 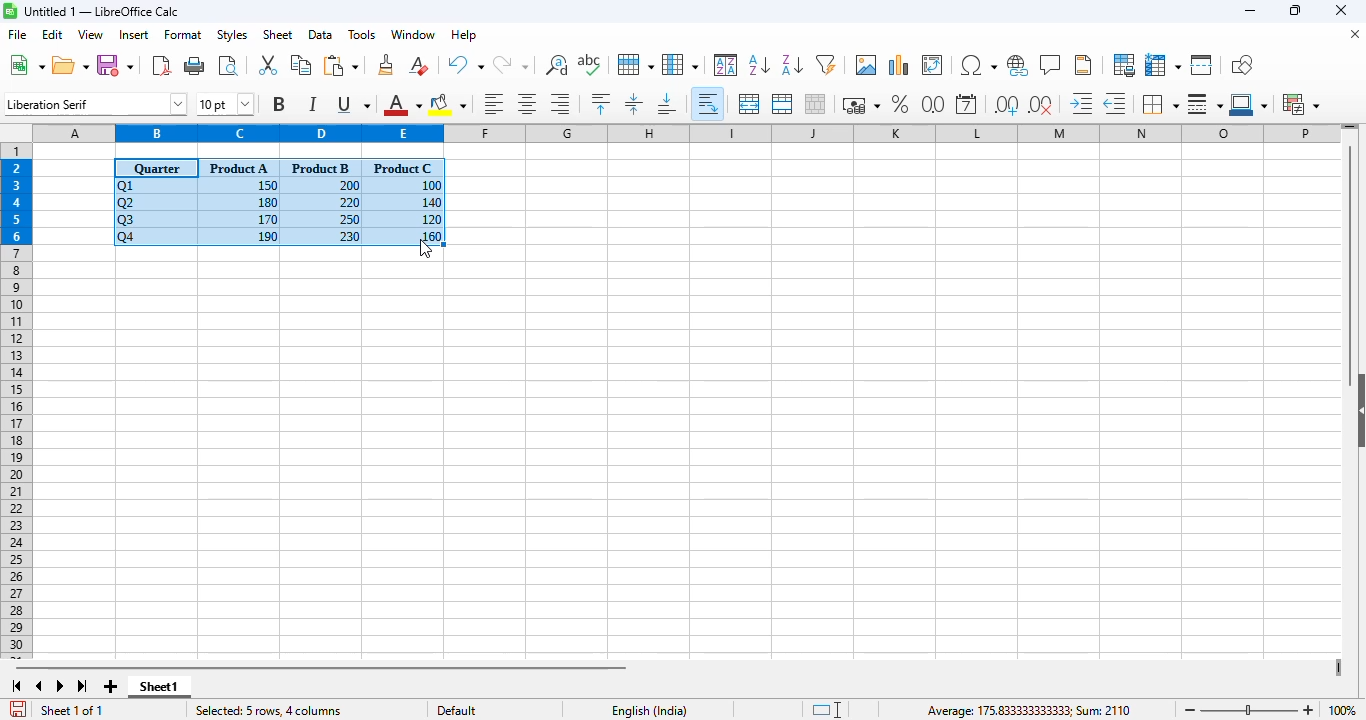 What do you see at coordinates (494, 103) in the screenshot?
I see `align left` at bounding box center [494, 103].